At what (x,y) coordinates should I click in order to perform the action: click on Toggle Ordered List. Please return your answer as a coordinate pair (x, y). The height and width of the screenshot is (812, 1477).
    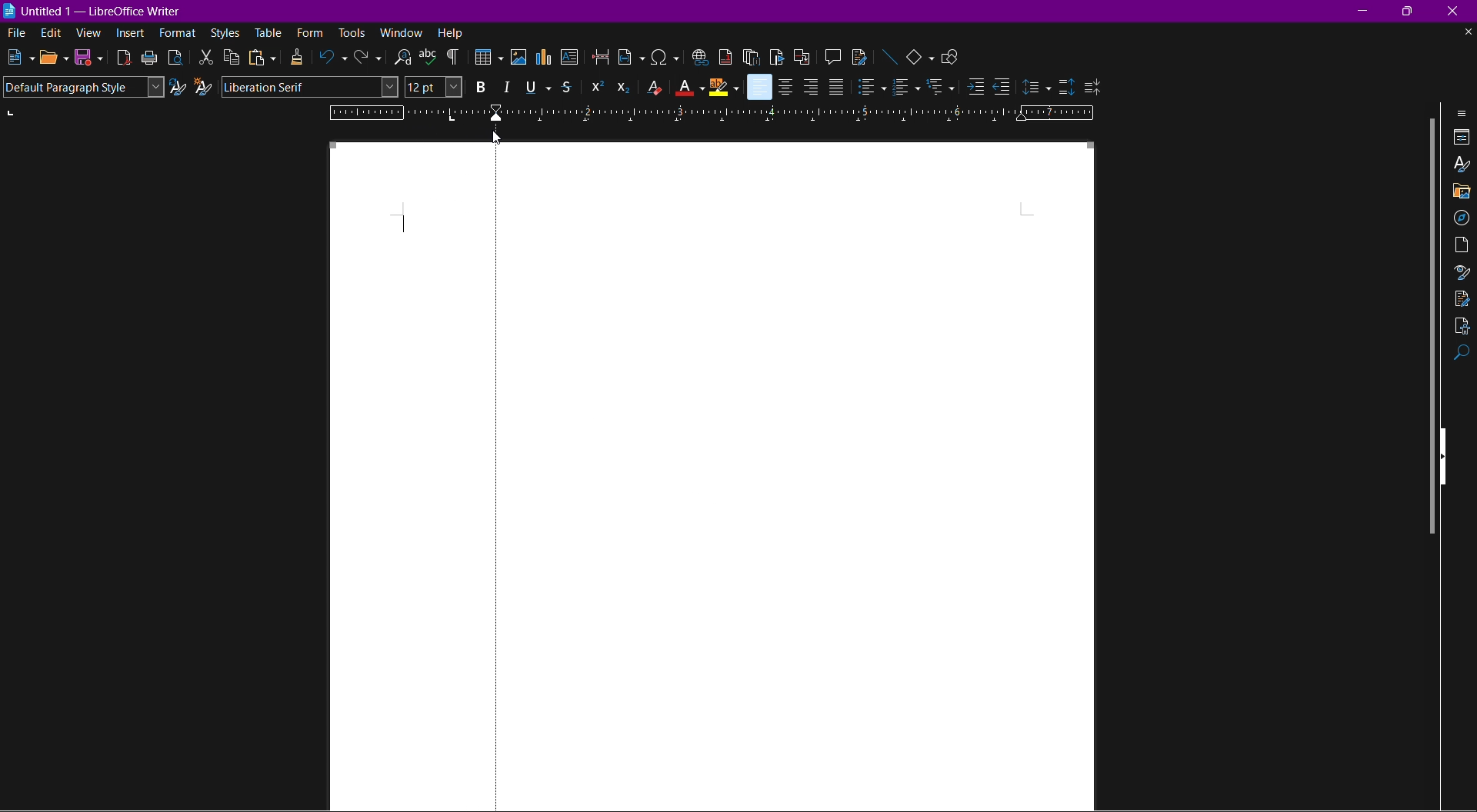
    Looking at the image, I should click on (905, 88).